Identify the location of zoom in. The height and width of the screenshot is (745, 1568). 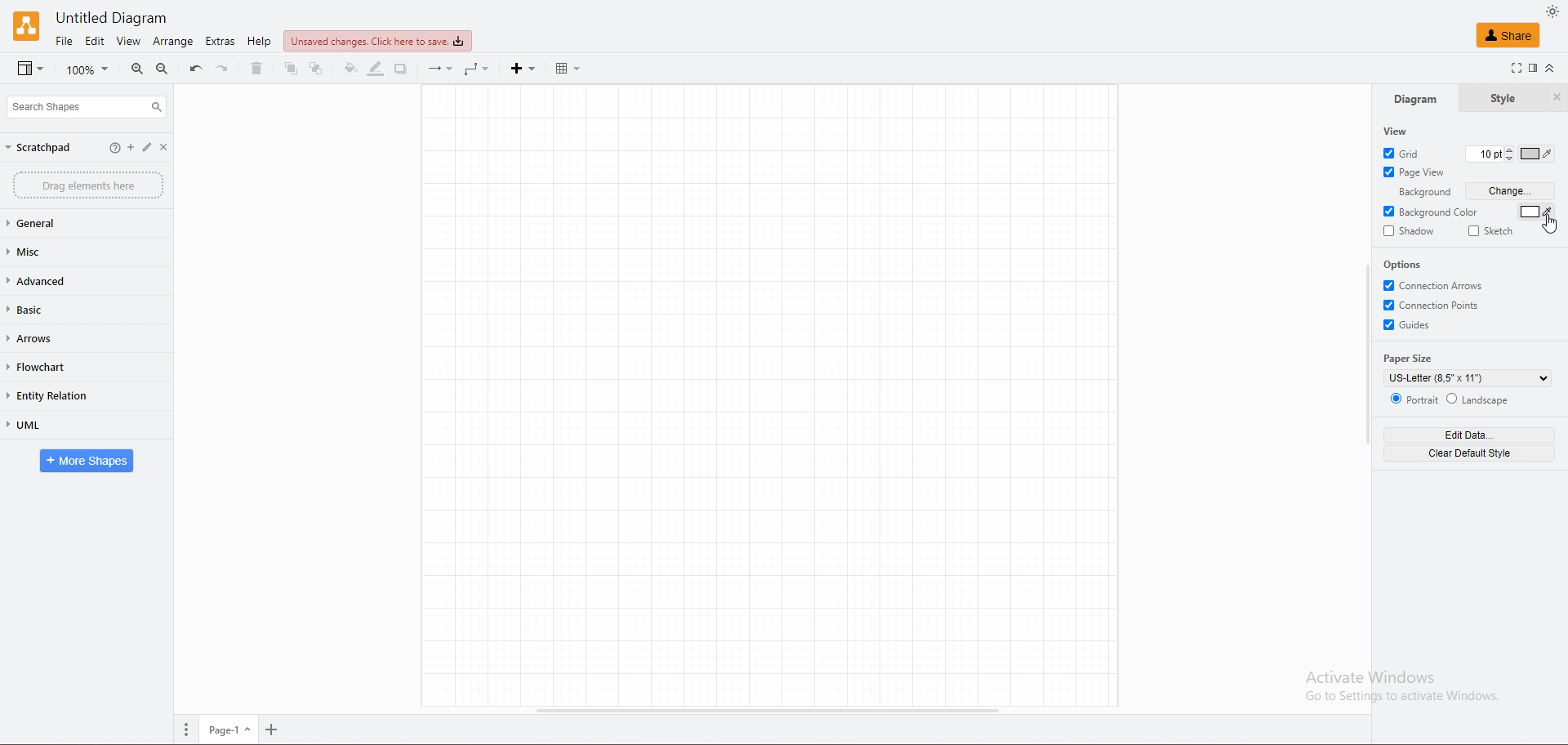
(139, 69).